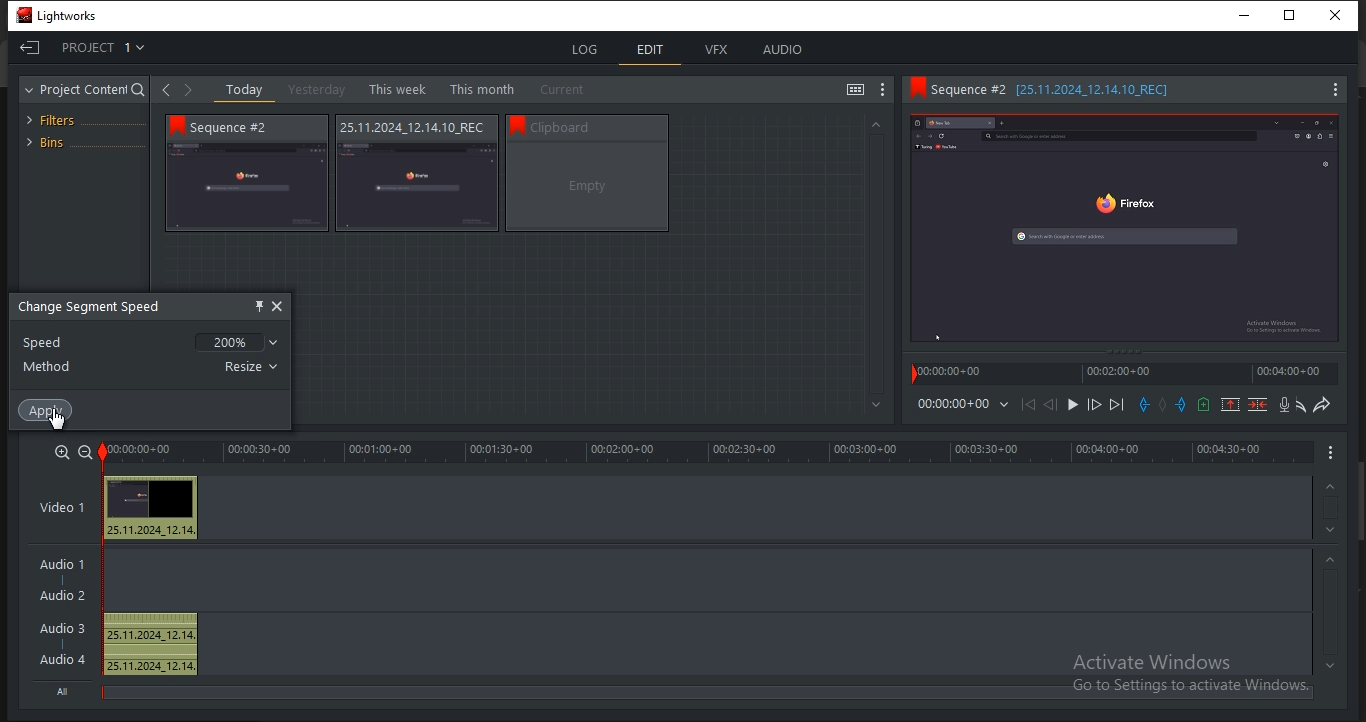 The image size is (1366, 722). What do you see at coordinates (60, 118) in the screenshot?
I see `filters` at bounding box center [60, 118].